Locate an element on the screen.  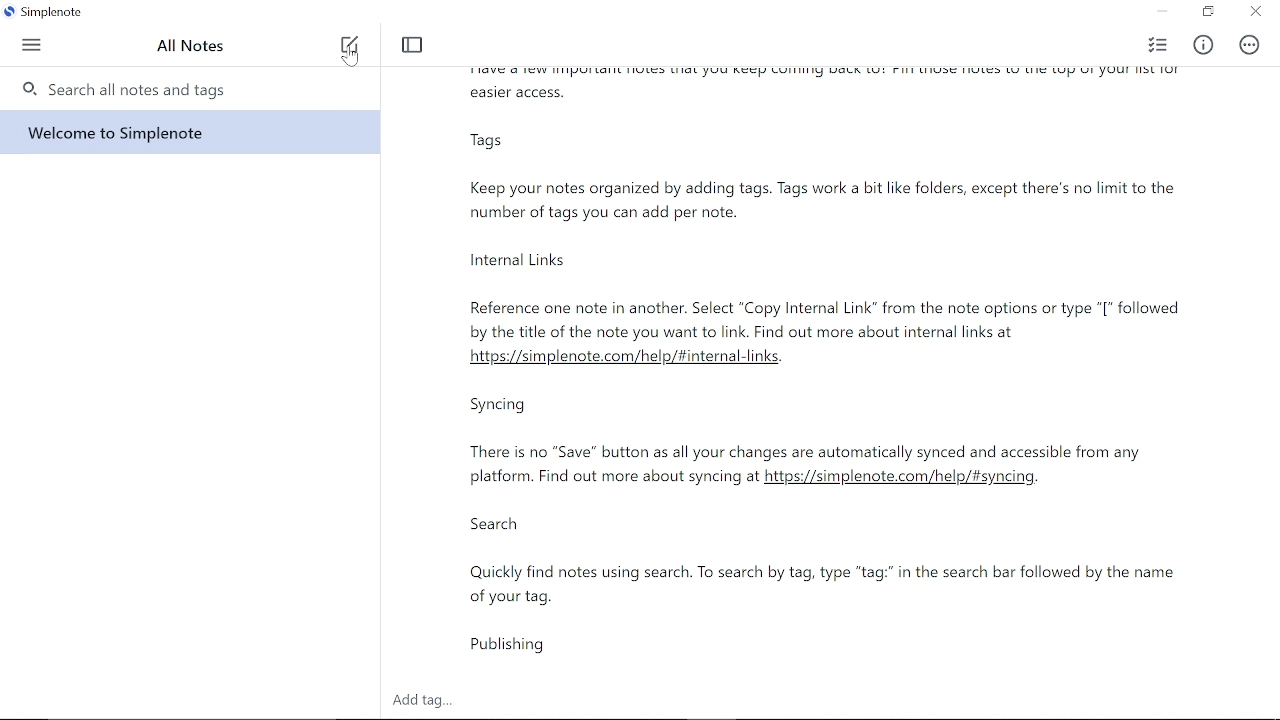
All notes is located at coordinates (193, 48).